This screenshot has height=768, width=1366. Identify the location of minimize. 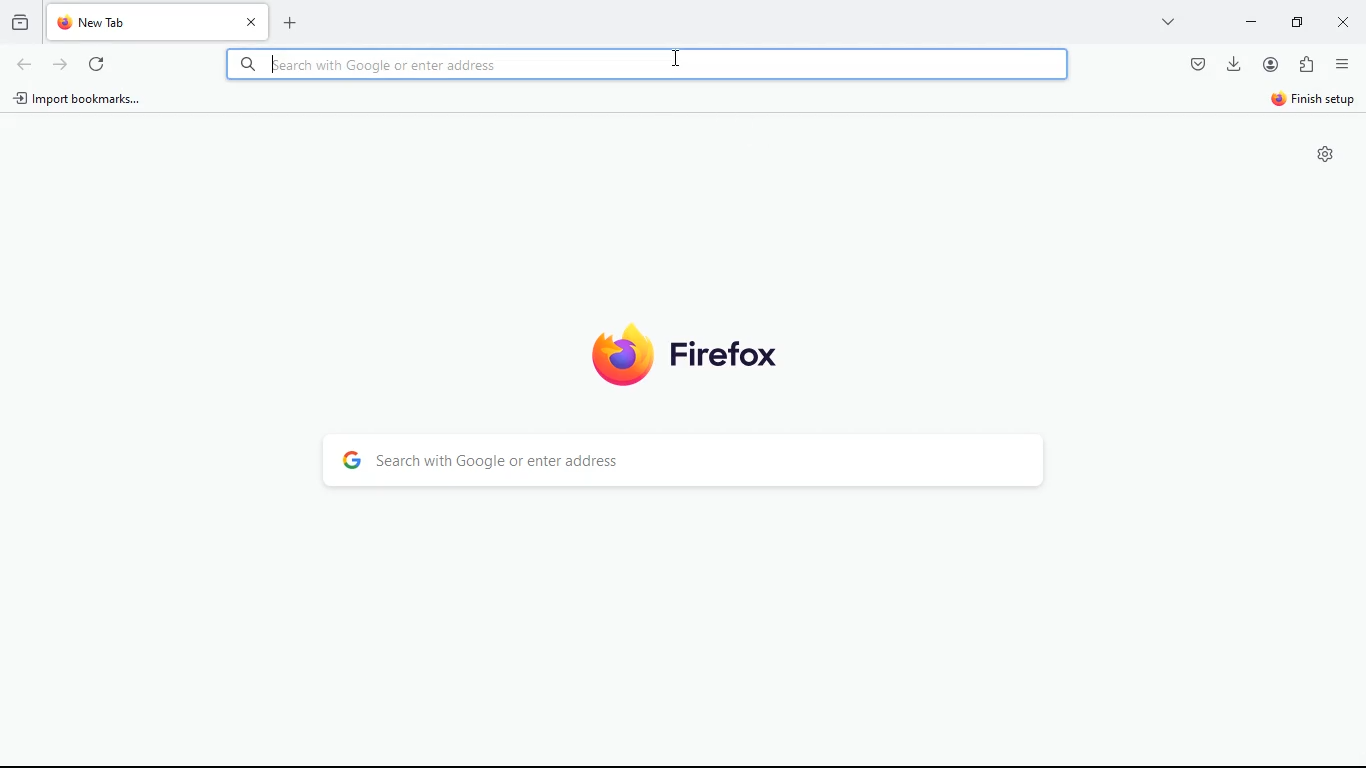
(1252, 23).